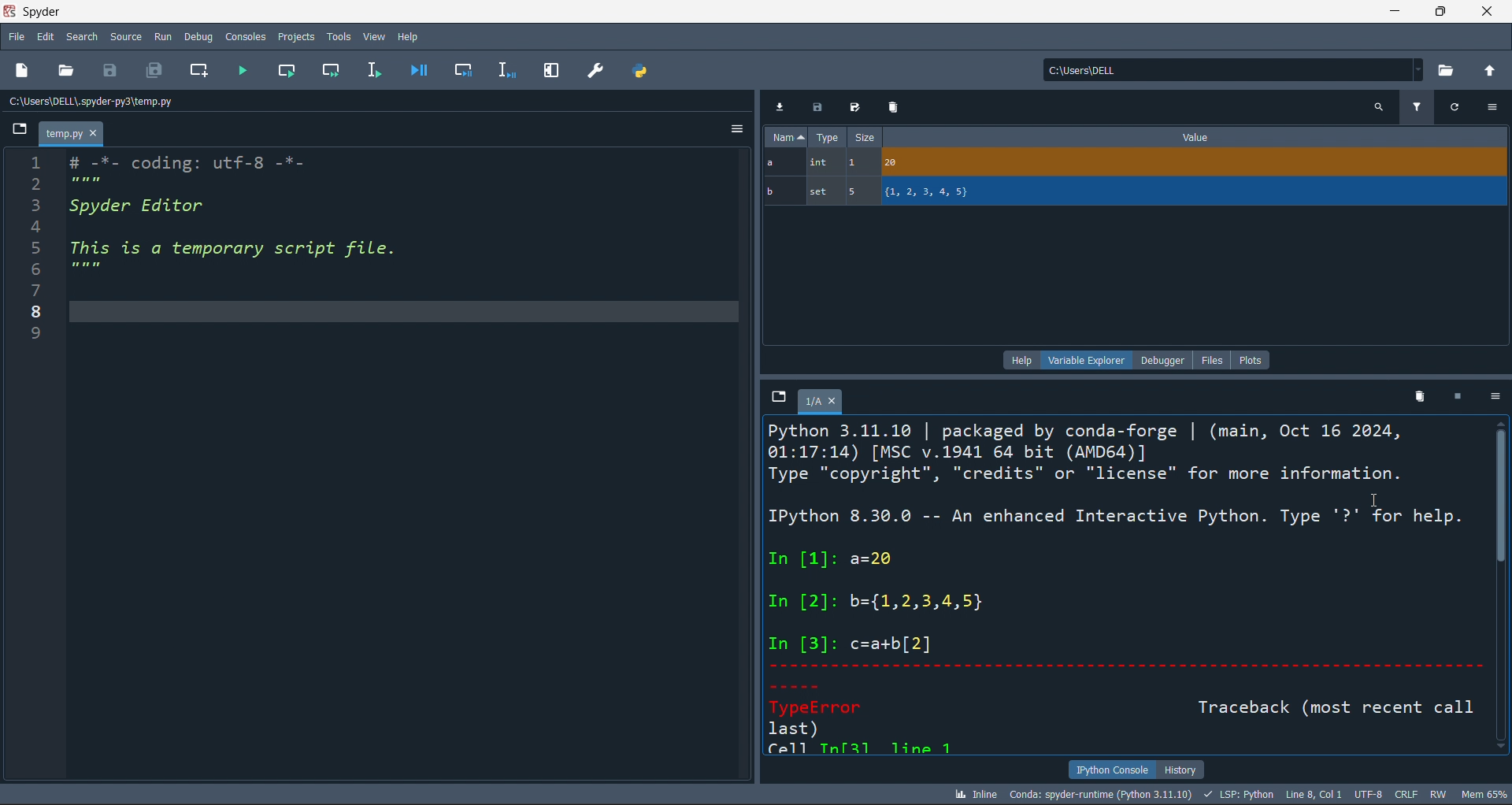  What do you see at coordinates (409, 34) in the screenshot?
I see `help` at bounding box center [409, 34].